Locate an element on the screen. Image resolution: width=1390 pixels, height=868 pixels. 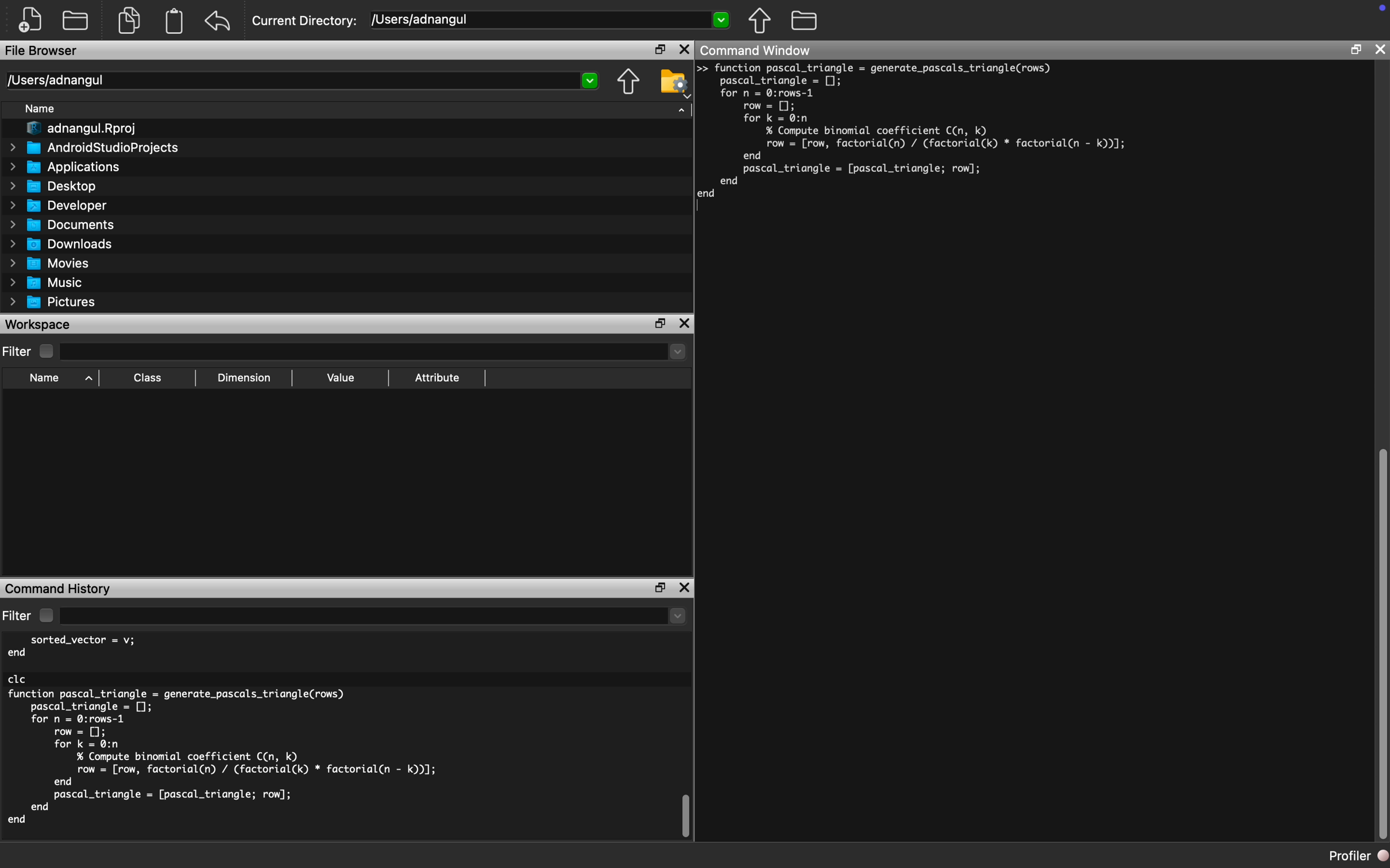
Restore Down is located at coordinates (660, 588).